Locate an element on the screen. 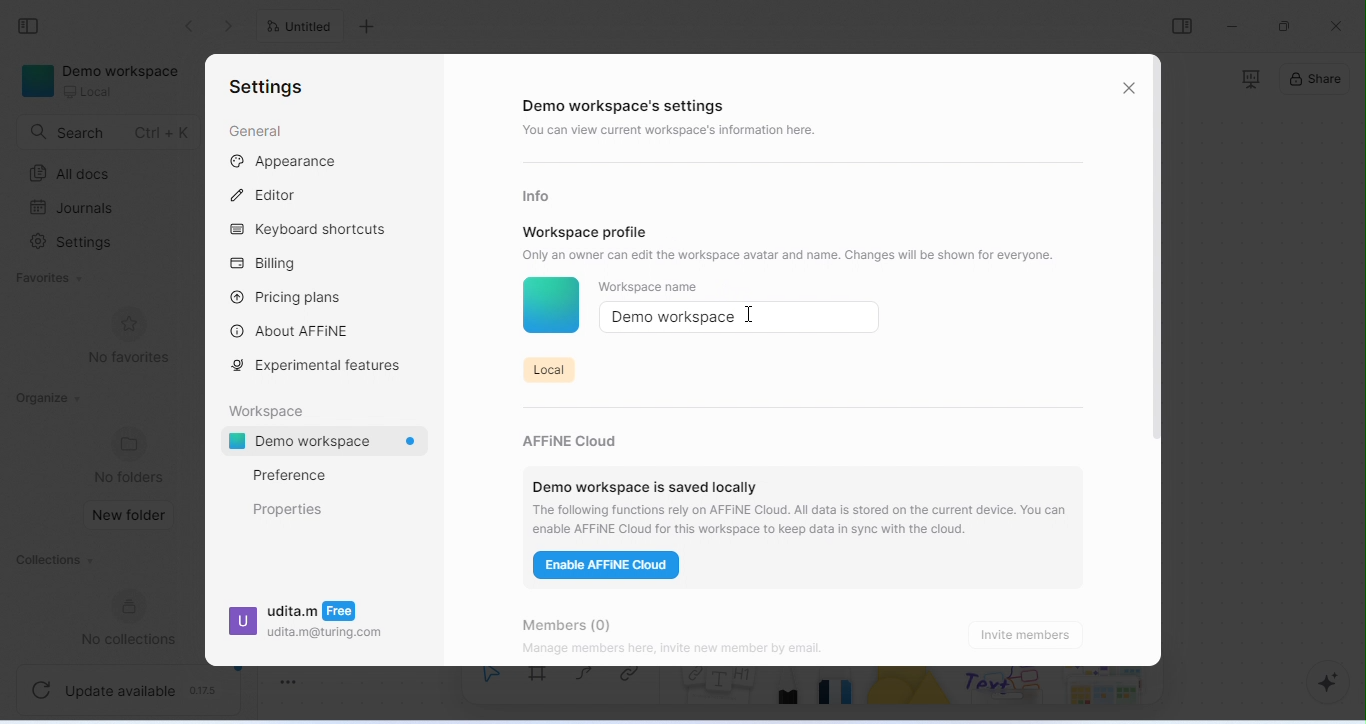  journals is located at coordinates (74, 208).